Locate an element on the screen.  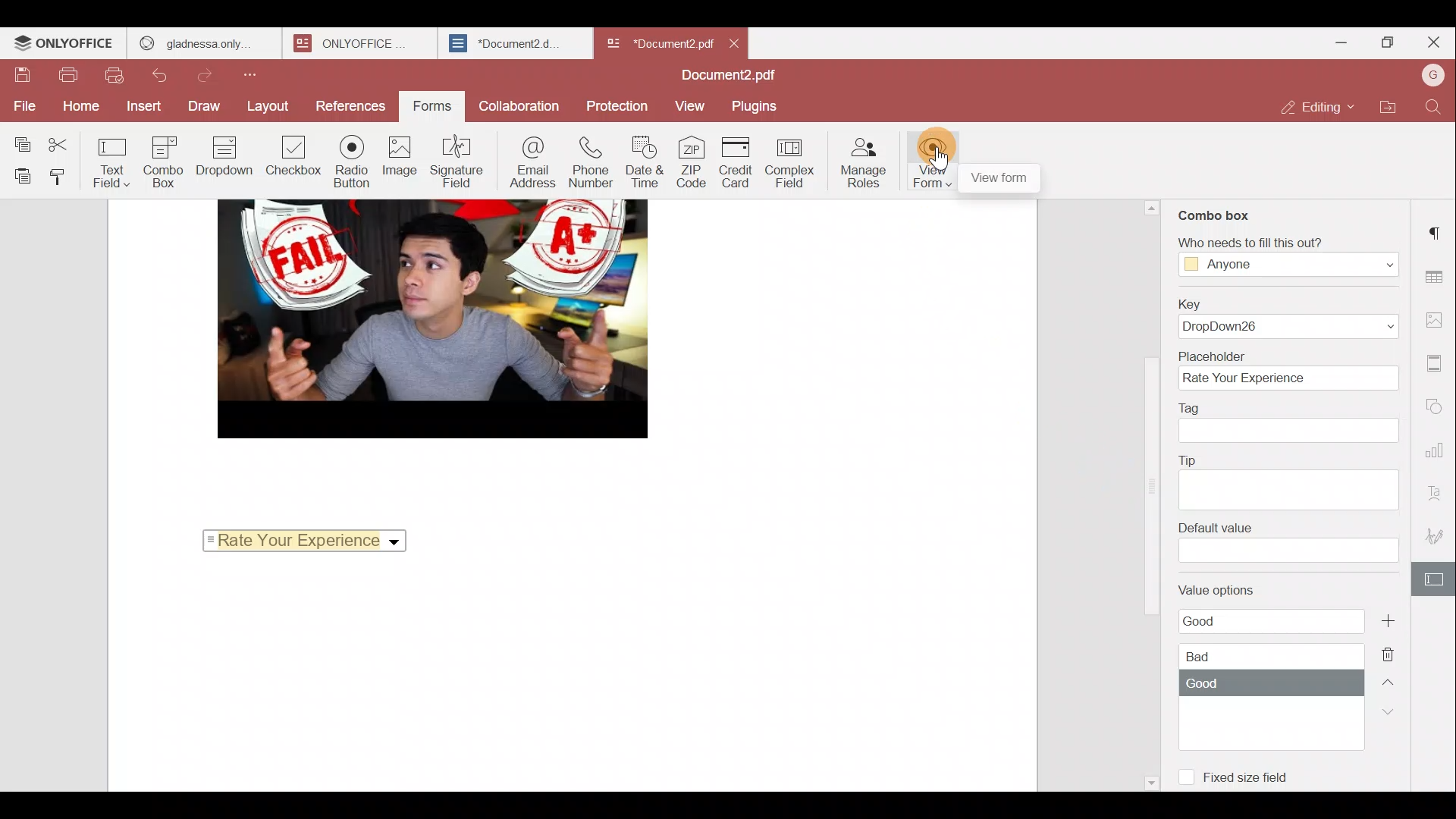
Cut is located at coordinates (70, 142).